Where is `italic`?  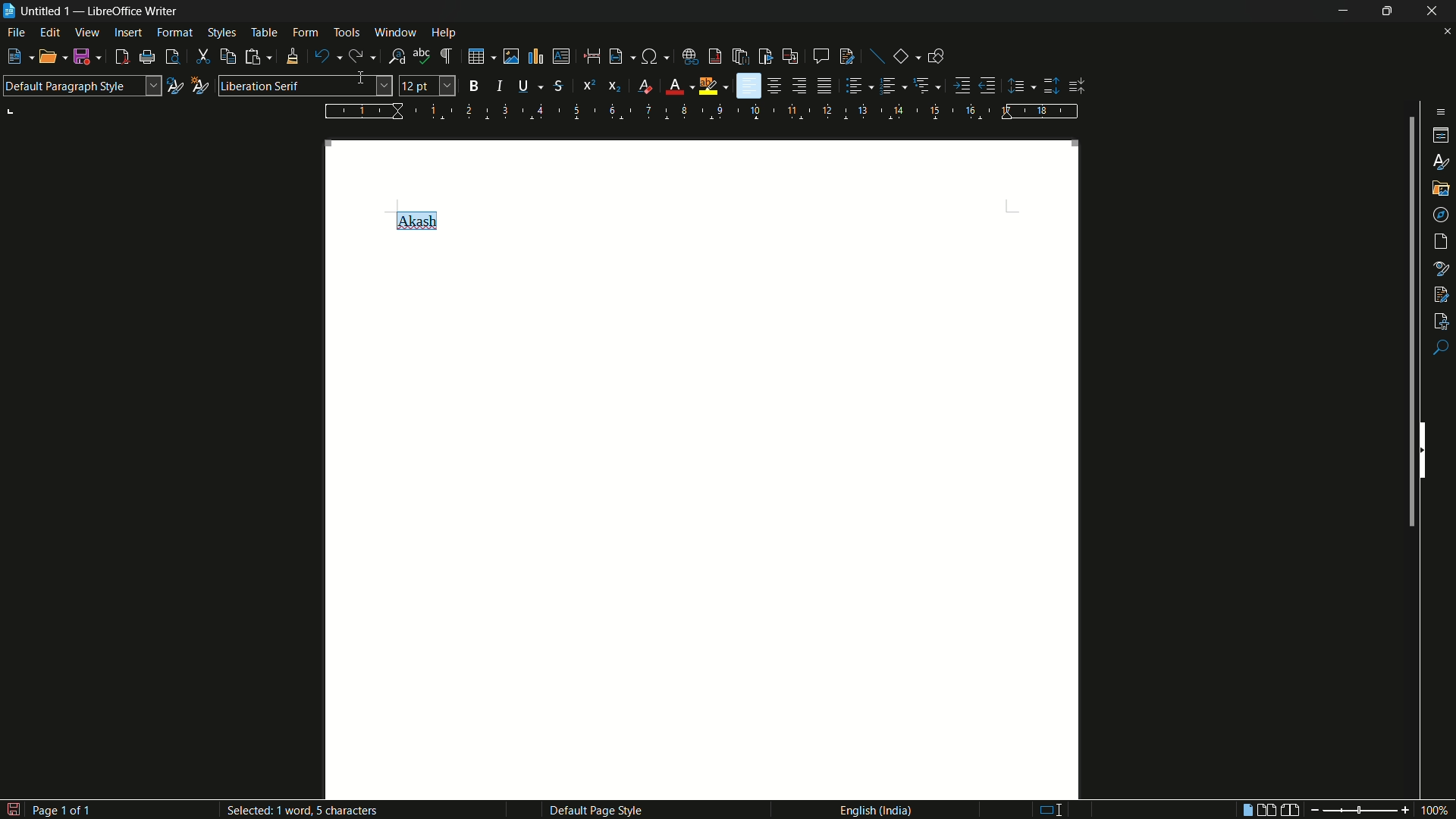
italic is located at coordinates (504, 86).